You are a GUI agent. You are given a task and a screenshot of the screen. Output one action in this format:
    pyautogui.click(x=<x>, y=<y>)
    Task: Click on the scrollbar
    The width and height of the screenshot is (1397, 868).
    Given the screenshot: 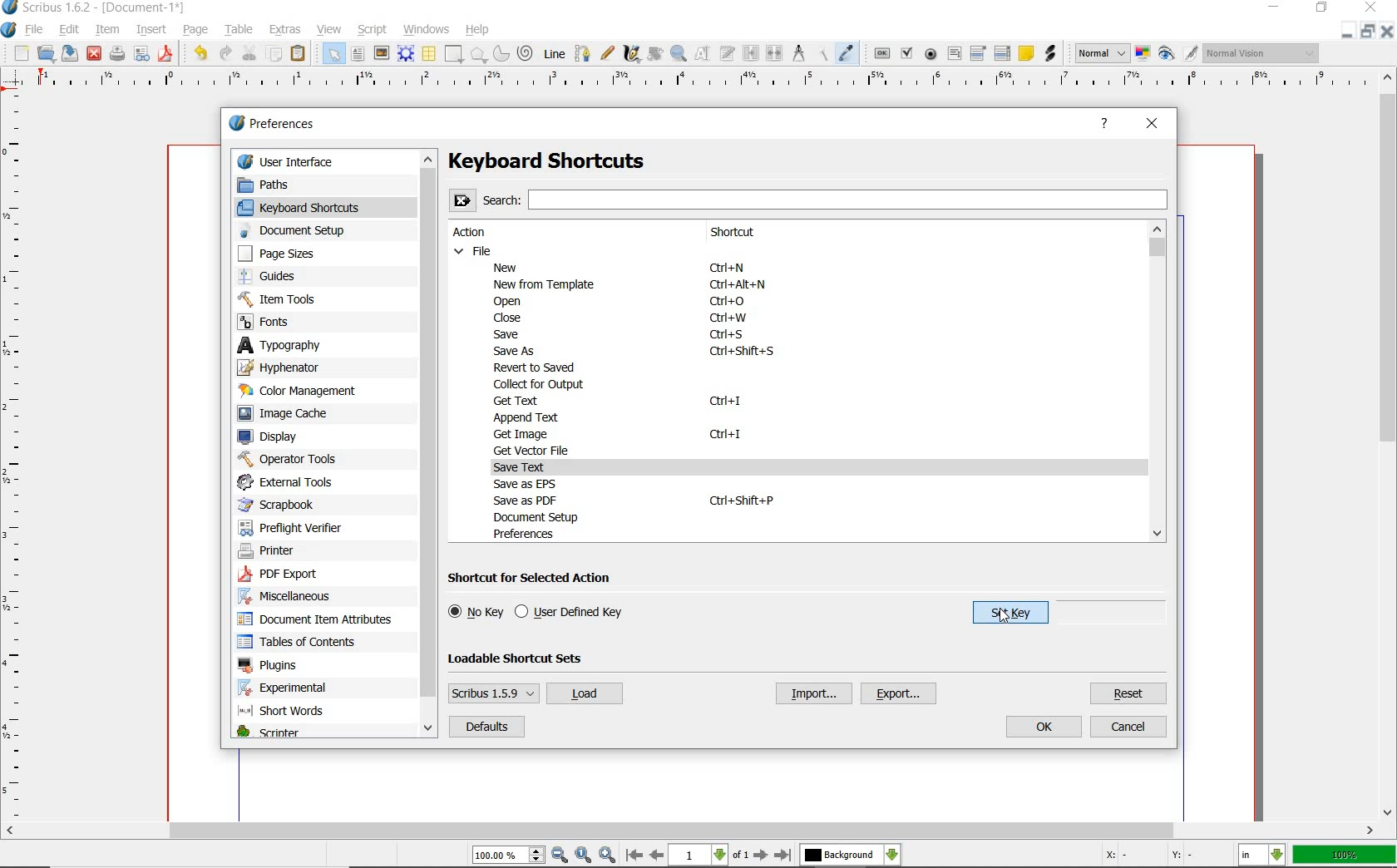 What is the action you would take?
    pyautogui.click(x=1158, y=382)
    